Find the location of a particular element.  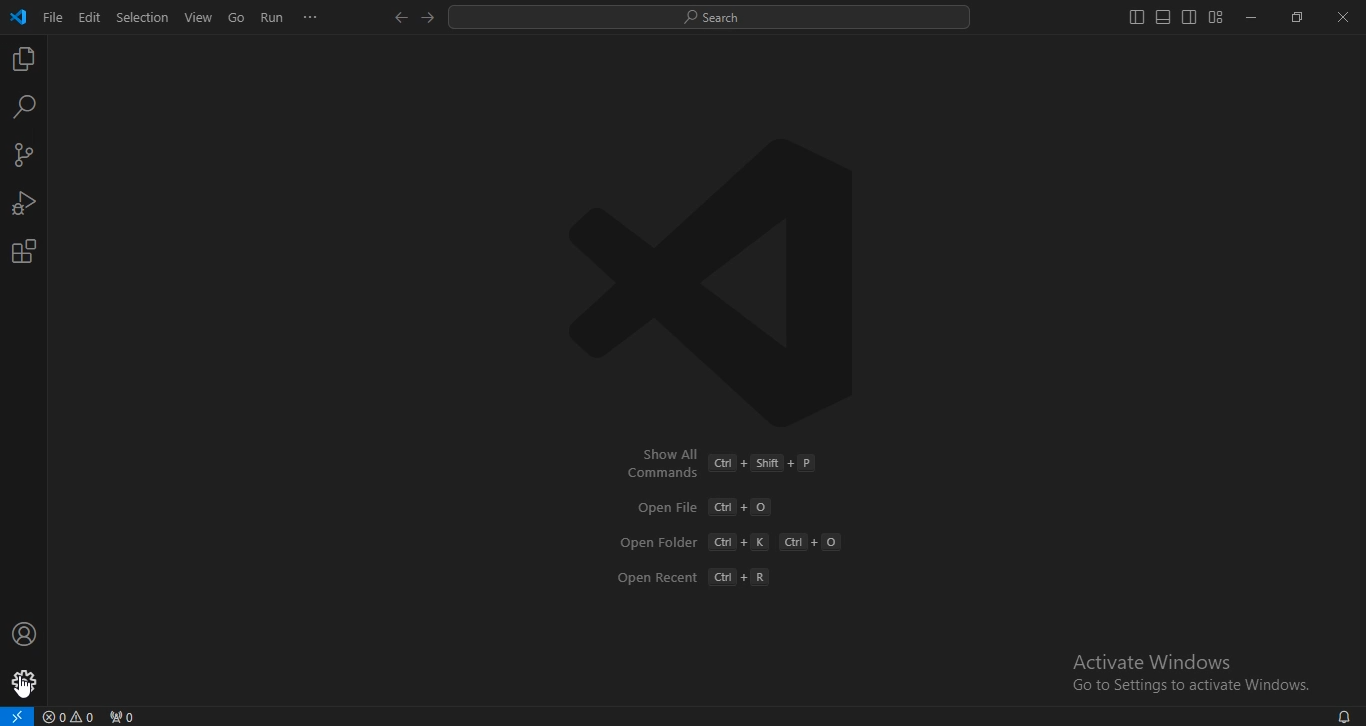

Commands [51+ +E
OpenFile Gil +0
Open Folder Gil + Kant +0
Open Recent Gl + R is located at coordinates (730, 519).